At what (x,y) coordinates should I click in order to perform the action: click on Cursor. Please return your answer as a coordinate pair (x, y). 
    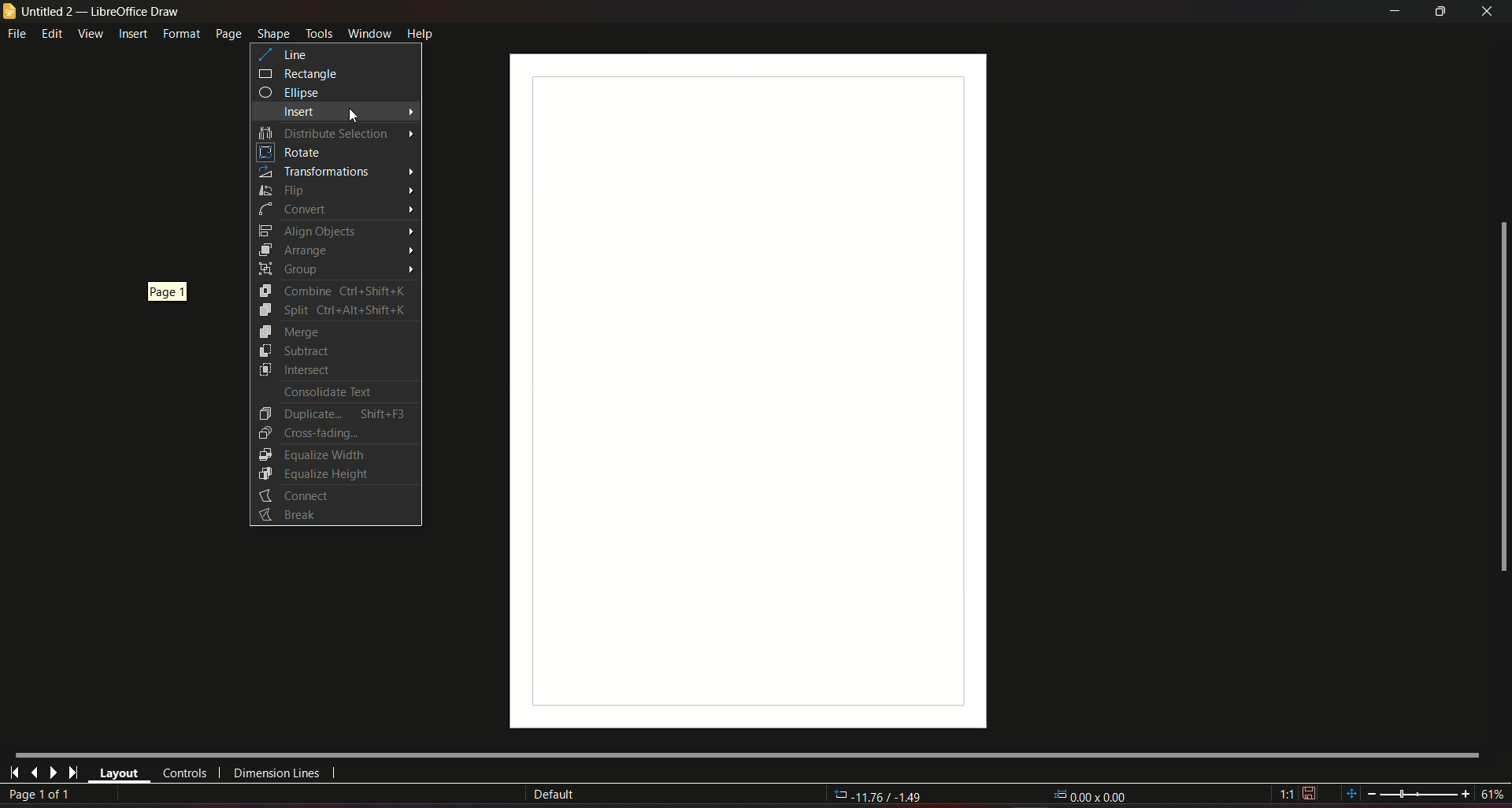
    Looking at the image, I should click on (358, 113).